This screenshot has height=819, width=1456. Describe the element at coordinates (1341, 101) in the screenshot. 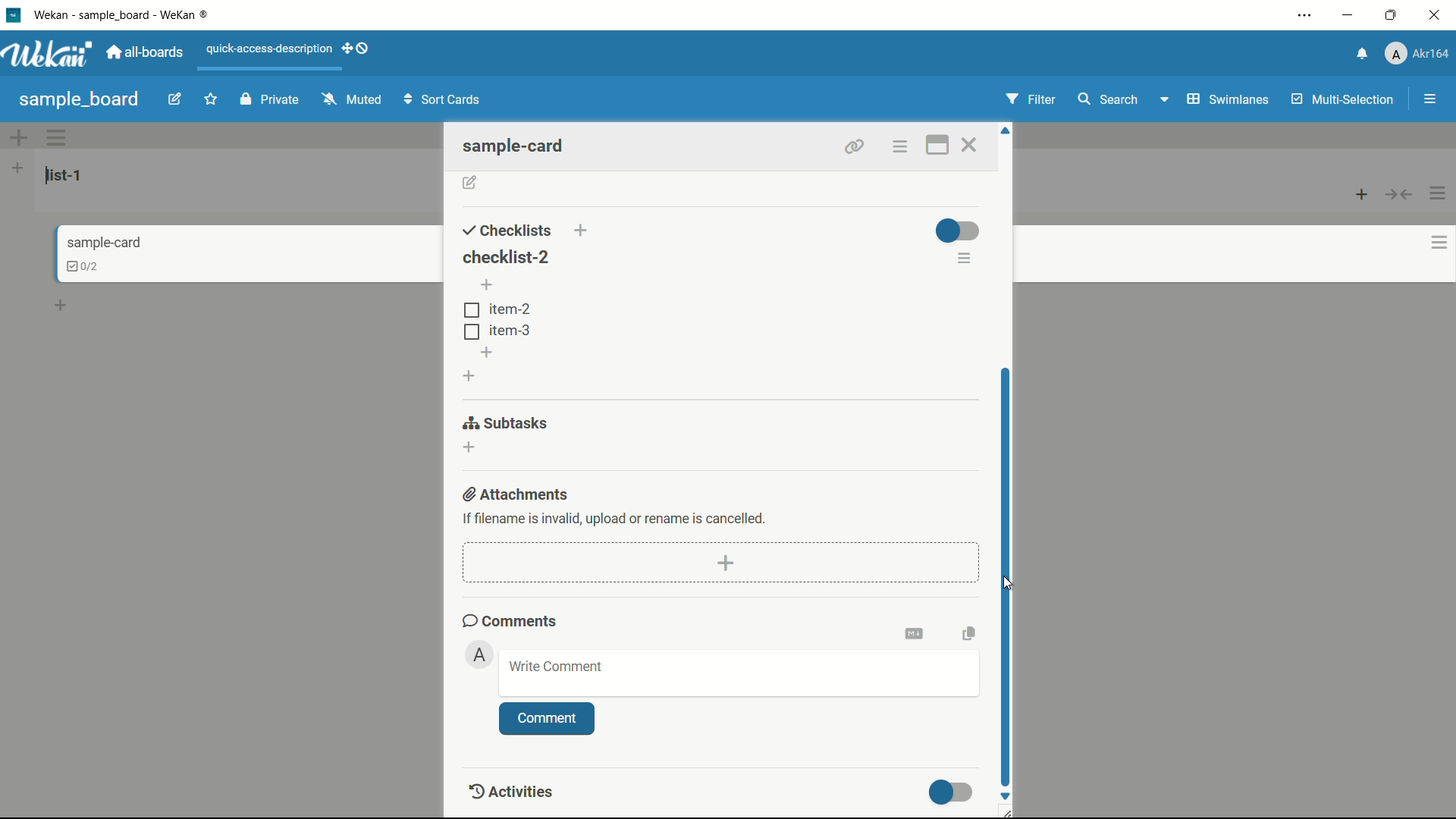

I see `multi selection` at that location.